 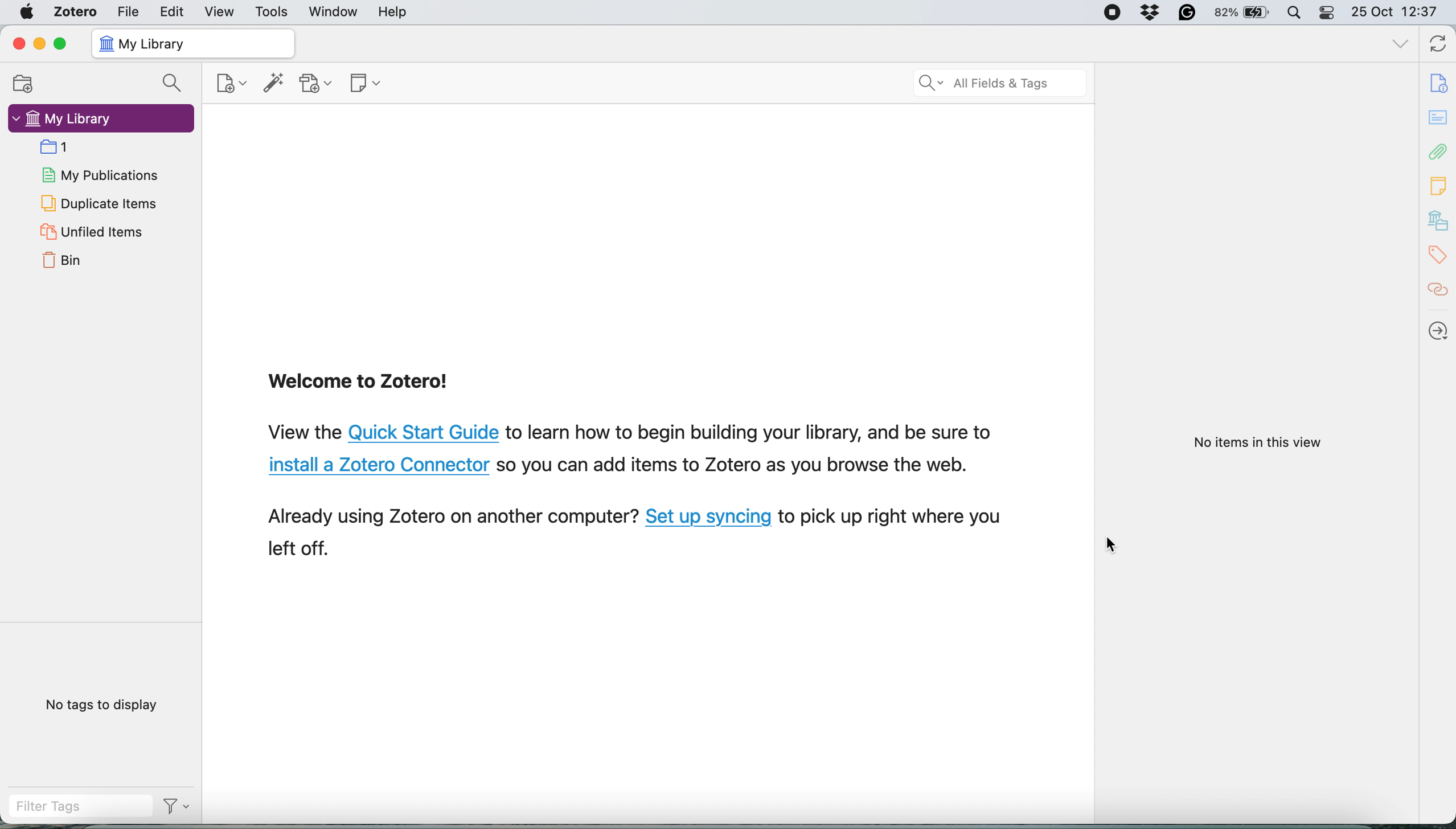 What do you see at coordinates (91, 233) in the screenshot?
I see `unfiled items` at bounding box center [91, 233].